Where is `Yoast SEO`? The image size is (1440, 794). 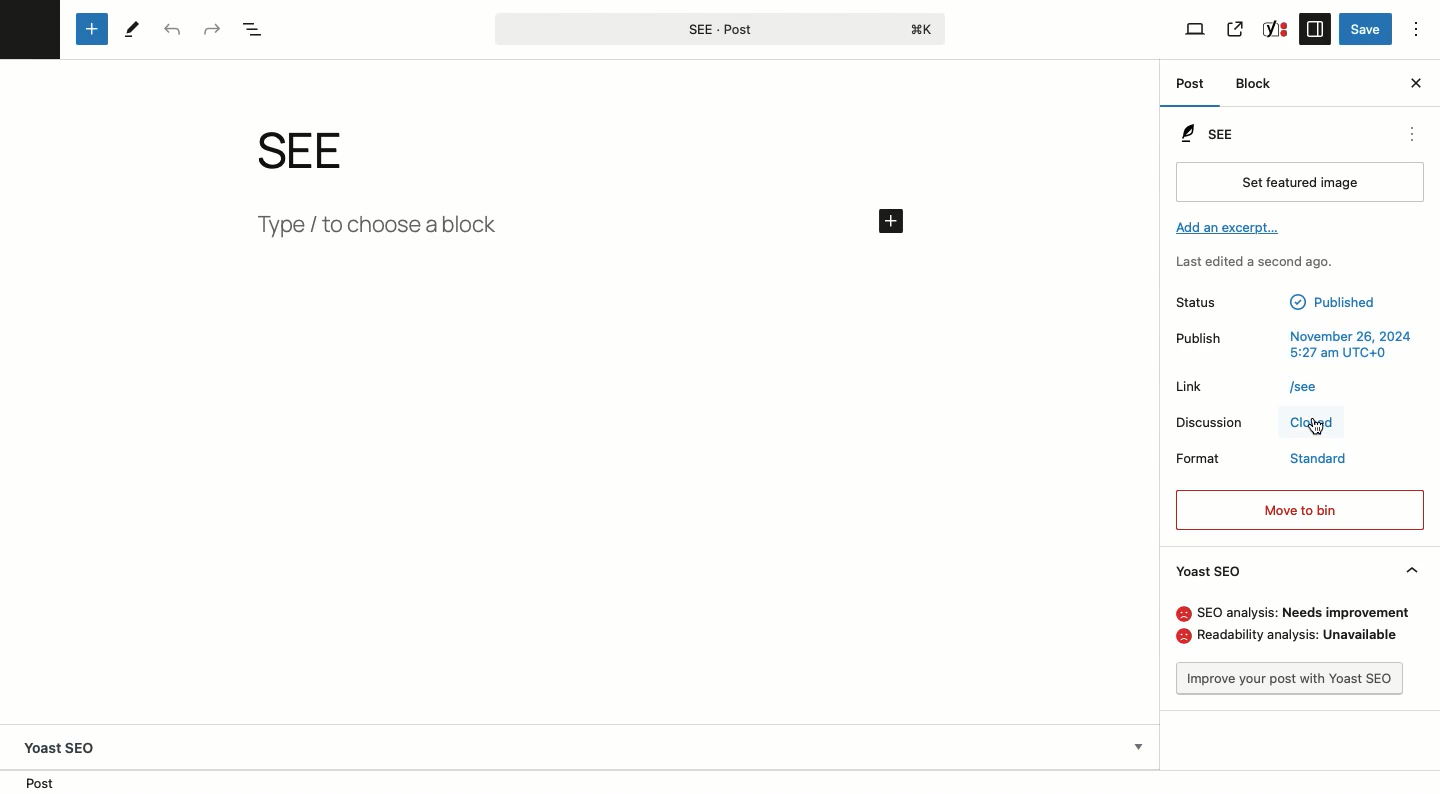 Yoast SEO is located at coordinates (67, 743).